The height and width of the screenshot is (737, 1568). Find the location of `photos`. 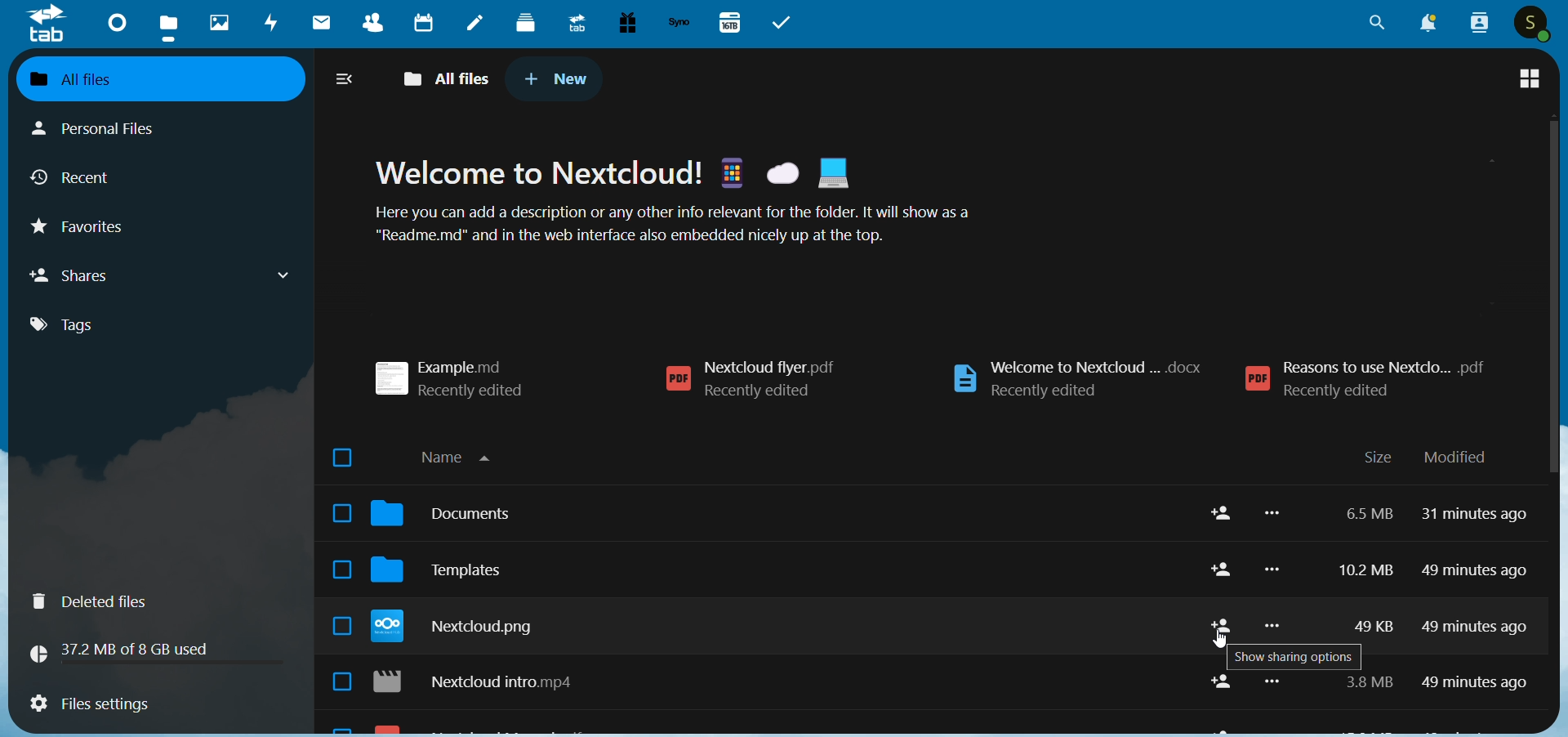

photos is located at coordinates (219, 23).